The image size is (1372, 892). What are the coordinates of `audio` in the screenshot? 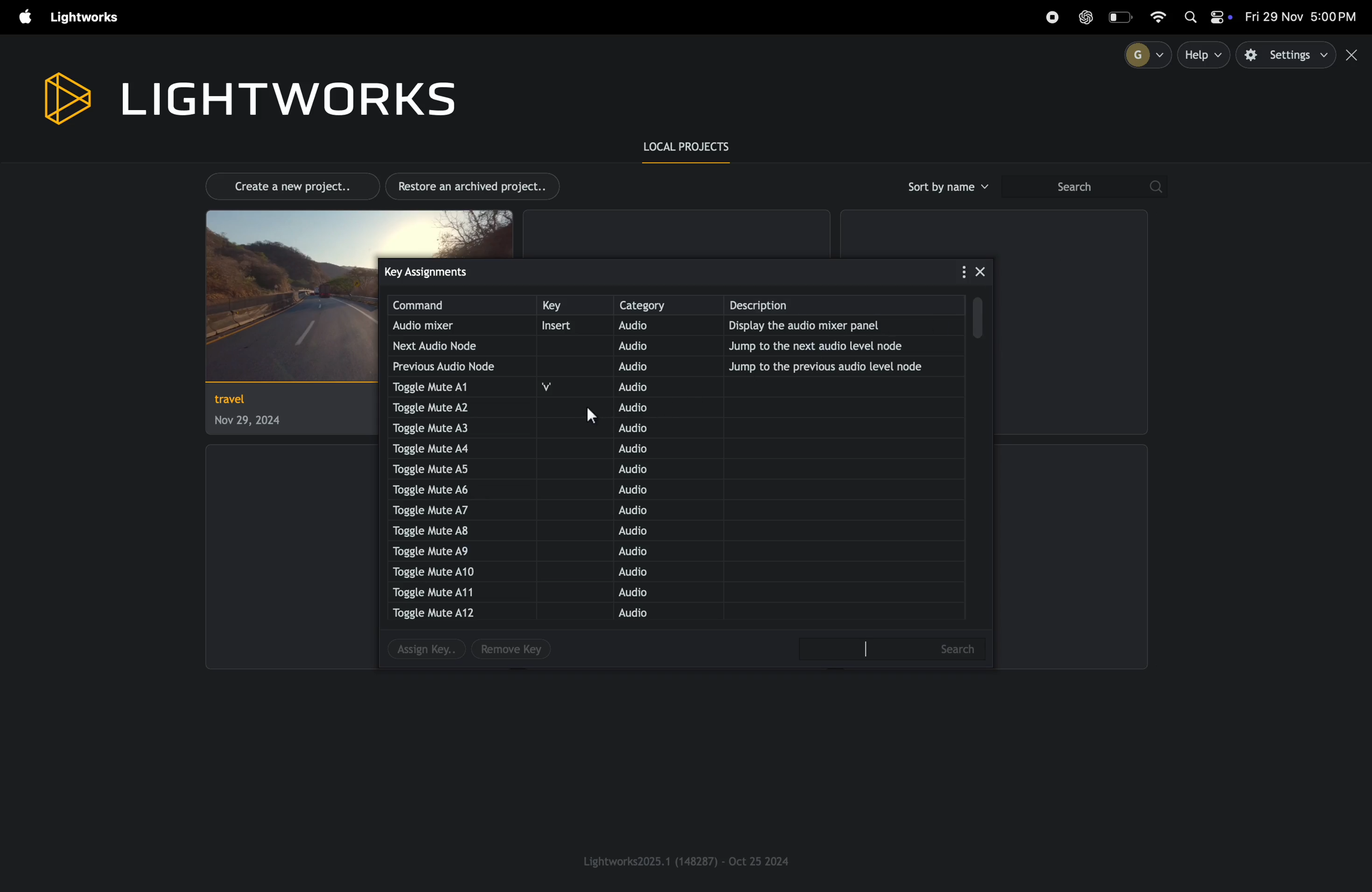 It's located at (654, 386).